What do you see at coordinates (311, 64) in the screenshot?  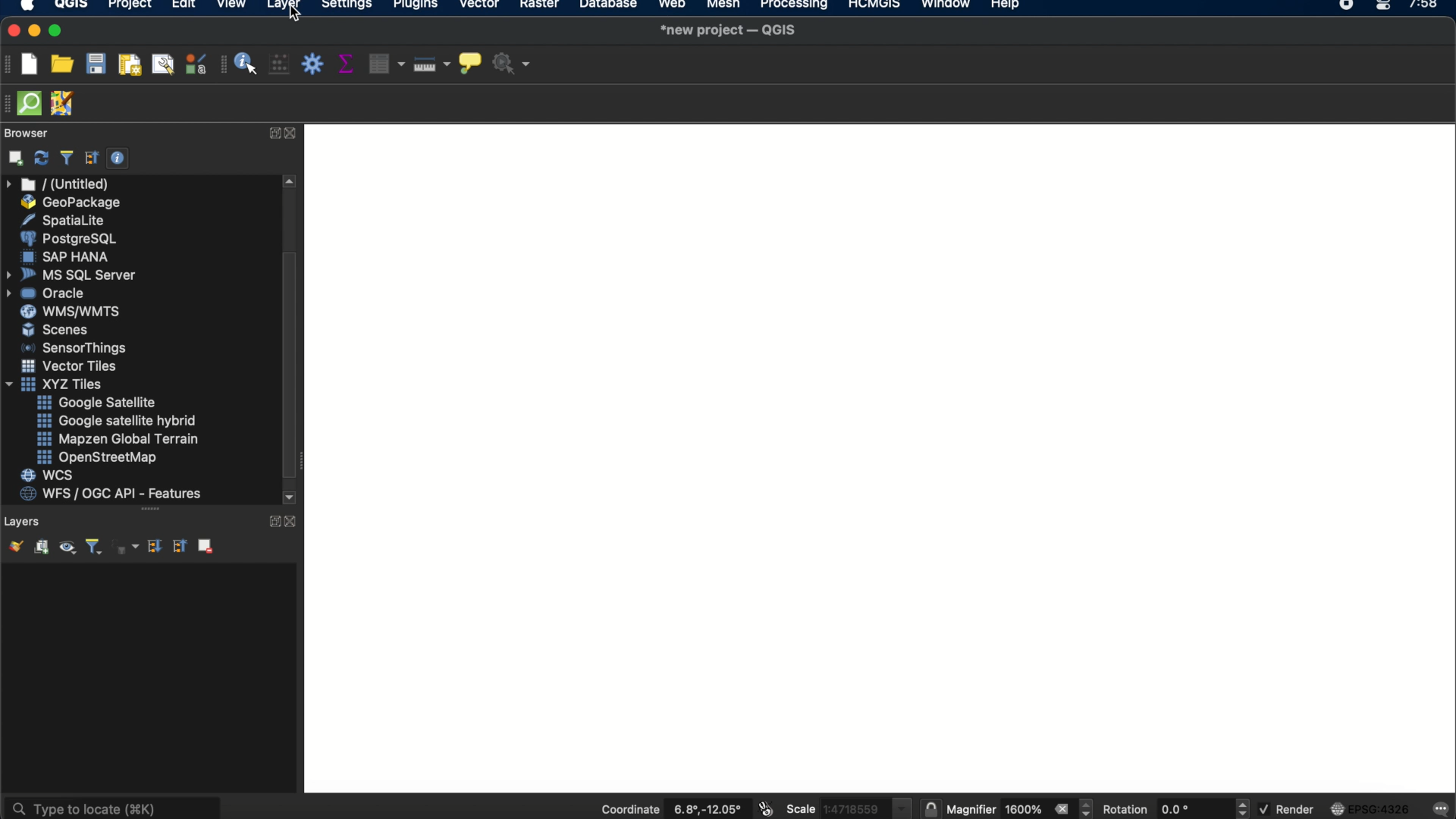 I see `toolbox` at bounding box center [311, 64].